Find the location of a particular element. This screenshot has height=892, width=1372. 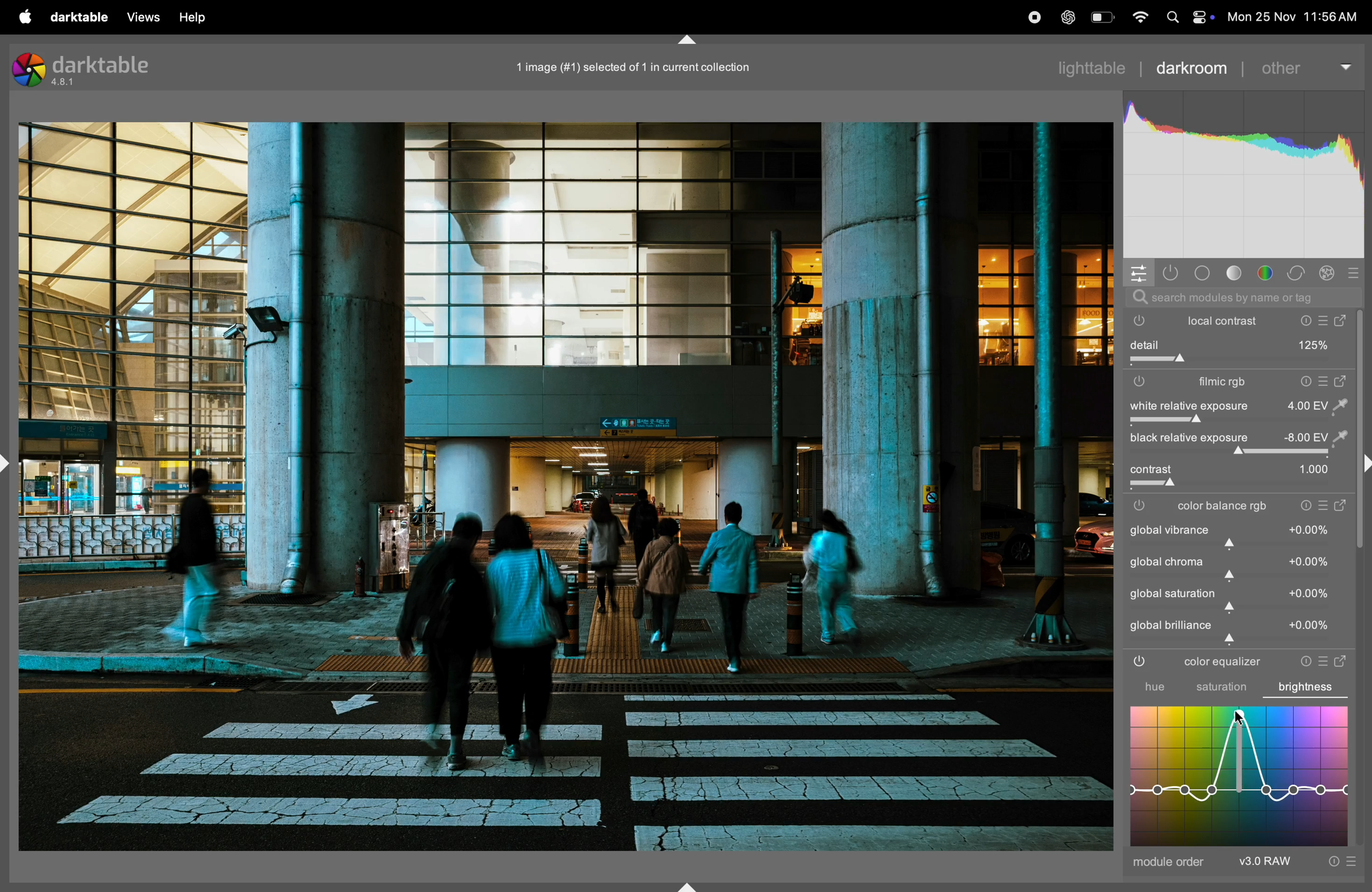

show active modules is located at coordinates (1171, 271).